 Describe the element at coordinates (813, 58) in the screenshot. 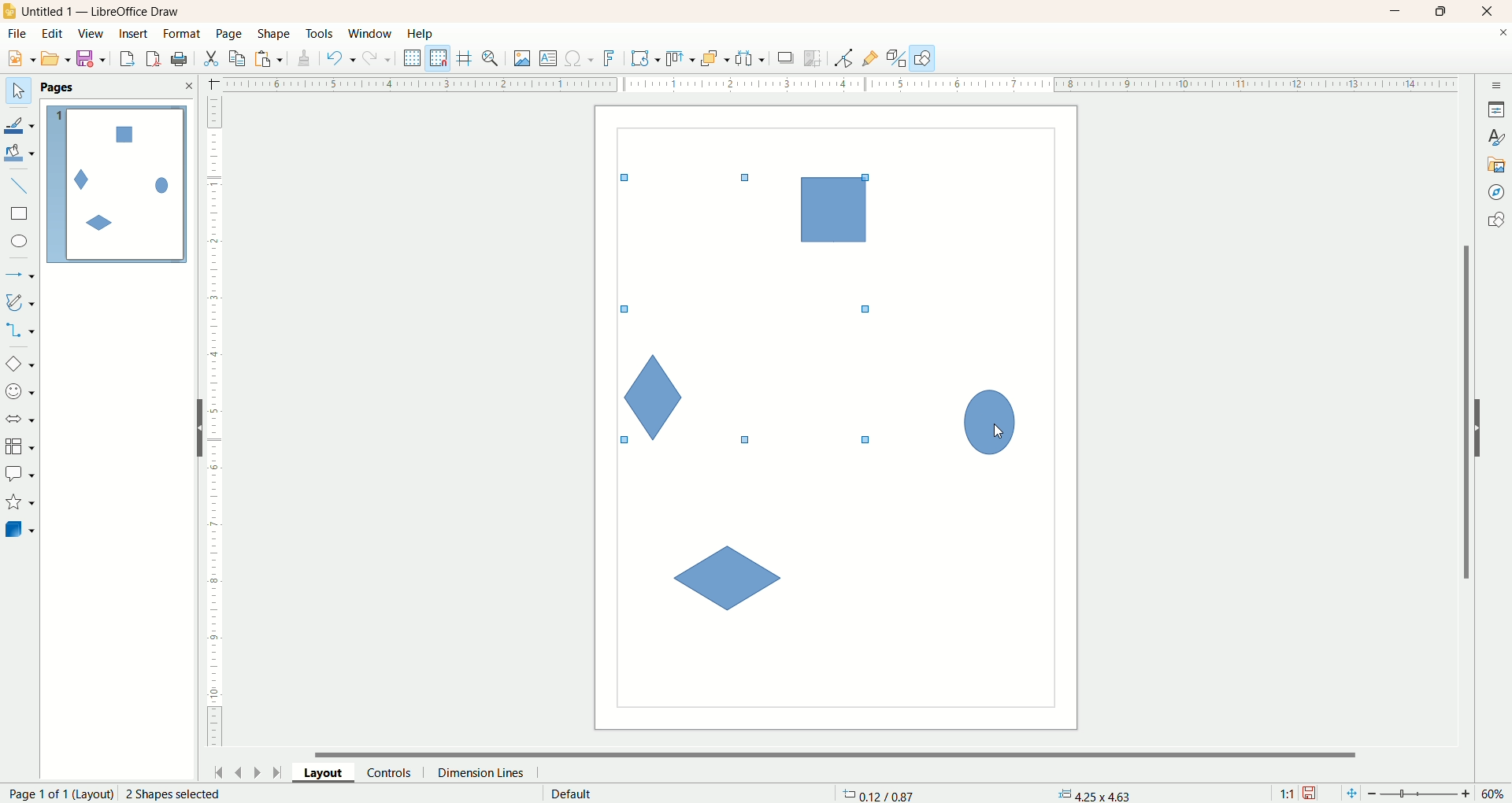

I see `crop image` at that location.